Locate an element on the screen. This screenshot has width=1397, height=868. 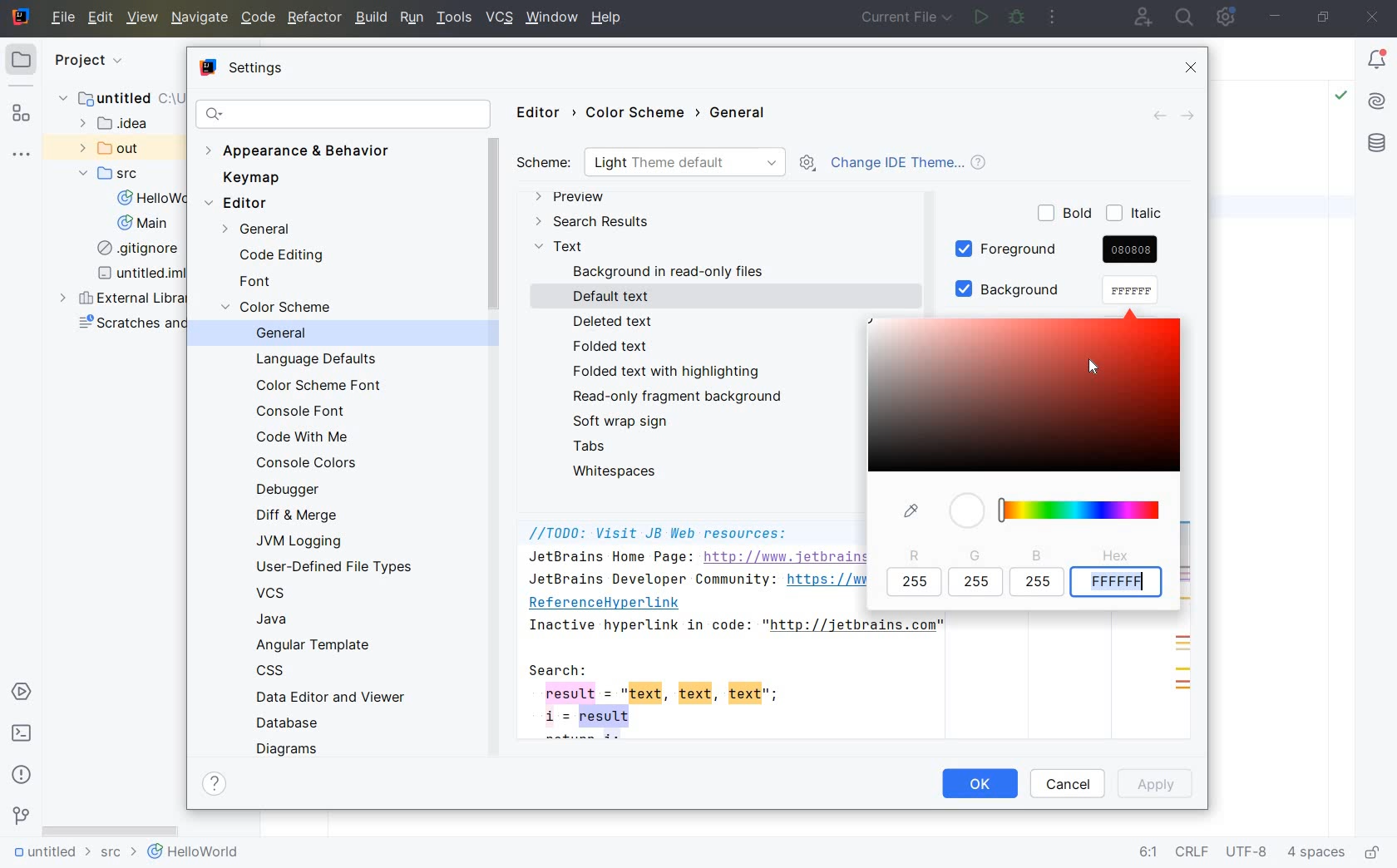
window is located at coordinates (551, 19).